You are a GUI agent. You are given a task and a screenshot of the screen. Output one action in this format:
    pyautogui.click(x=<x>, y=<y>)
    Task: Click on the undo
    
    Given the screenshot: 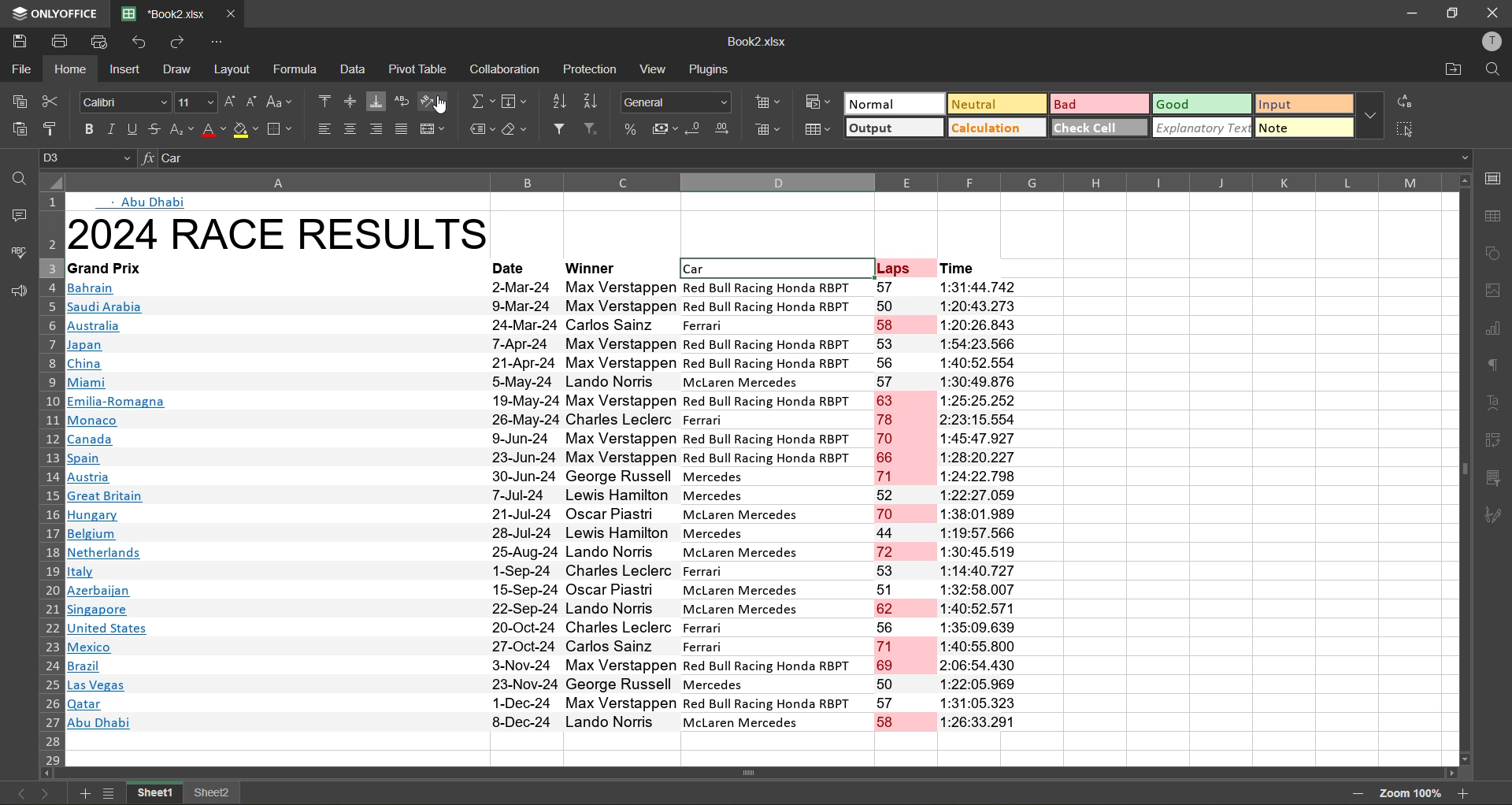 What is the action you would take?
    pyautogui.click(x=143, y=39)
    